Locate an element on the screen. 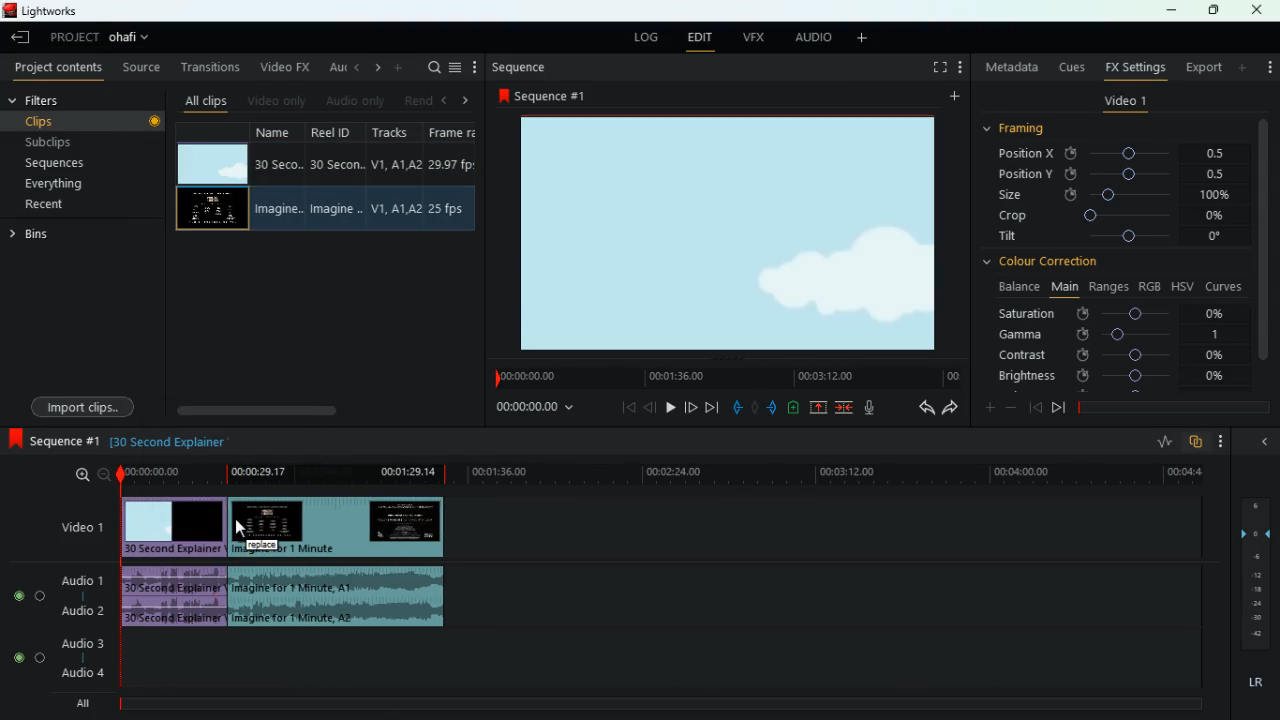  subclips is located at coordinates (82, 141).